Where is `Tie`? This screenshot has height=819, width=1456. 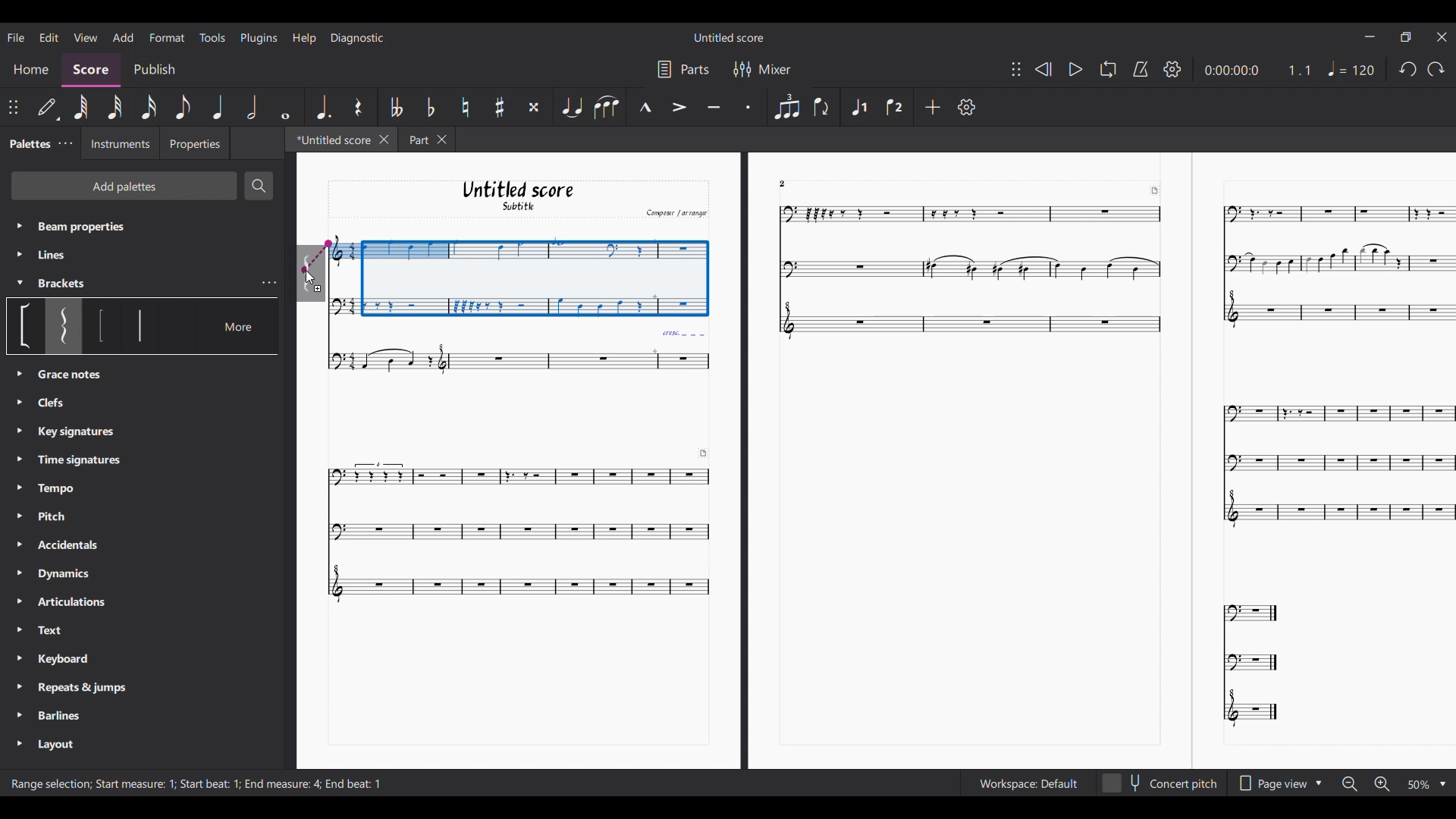 Tie is located at coordinates (571, 107).